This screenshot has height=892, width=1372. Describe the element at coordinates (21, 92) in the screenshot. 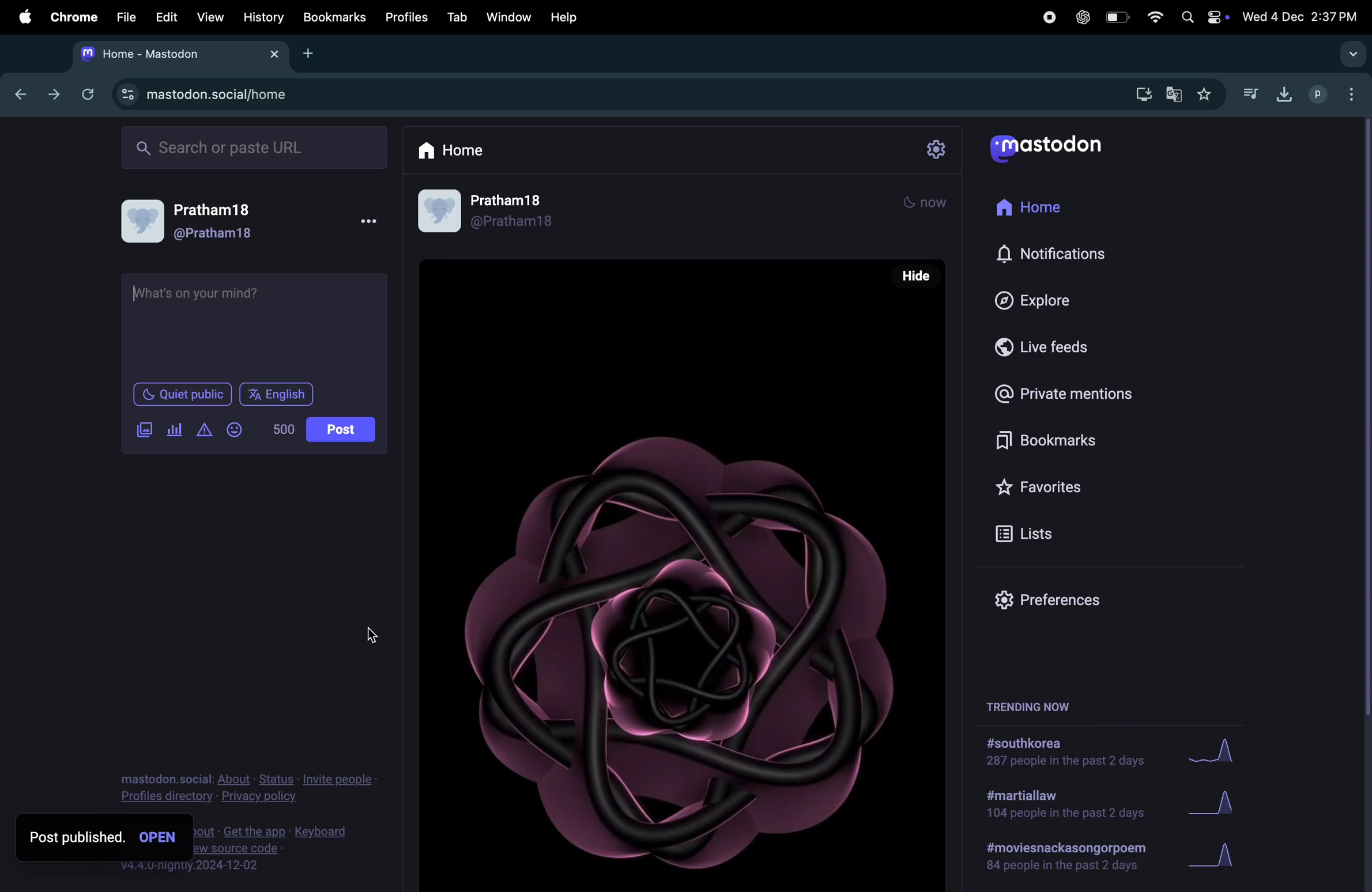

I see `backward` at that location.